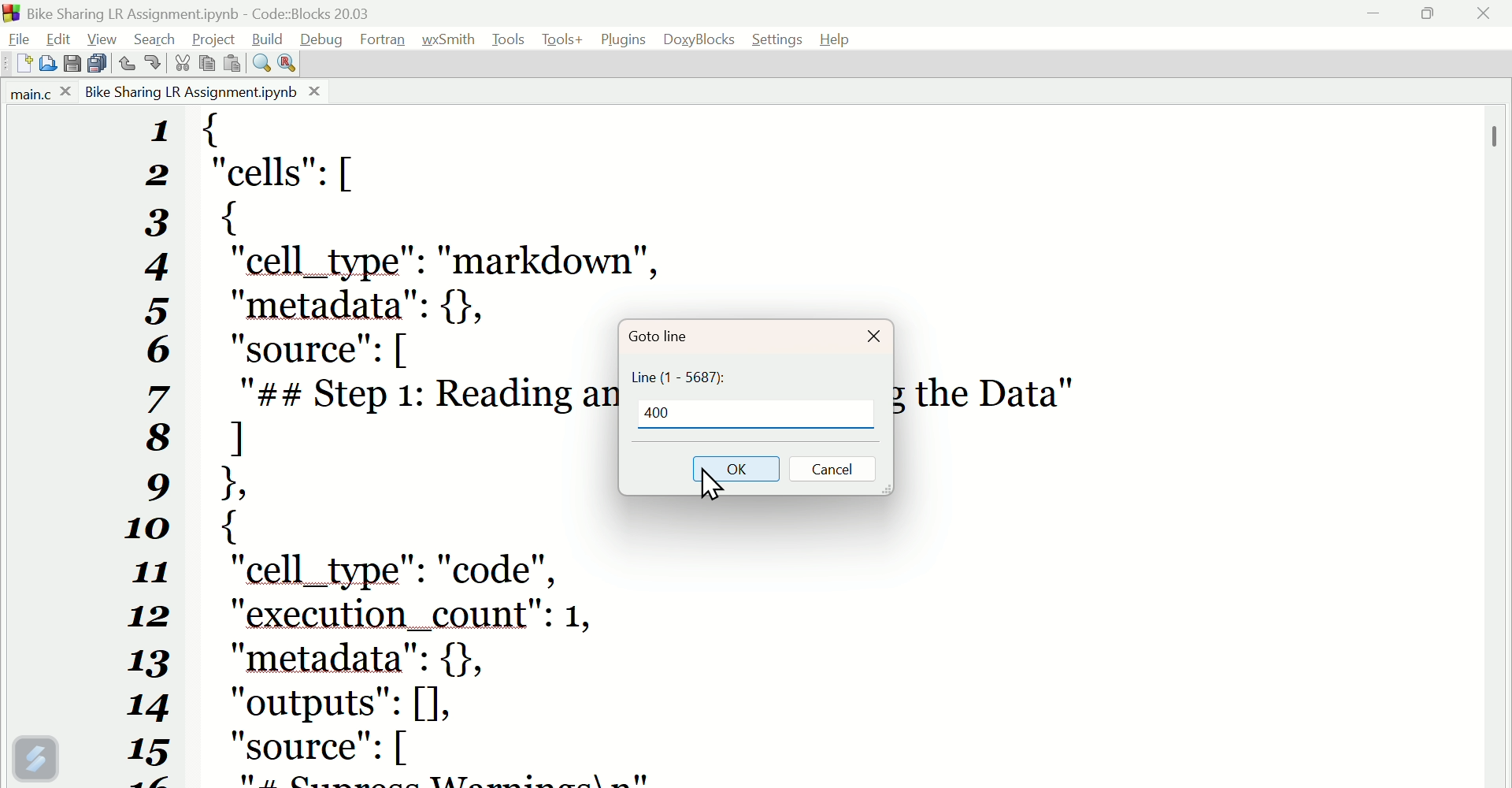 This screenshot has width=1512, height=788. I want to click on Edit, so click(57, 39).